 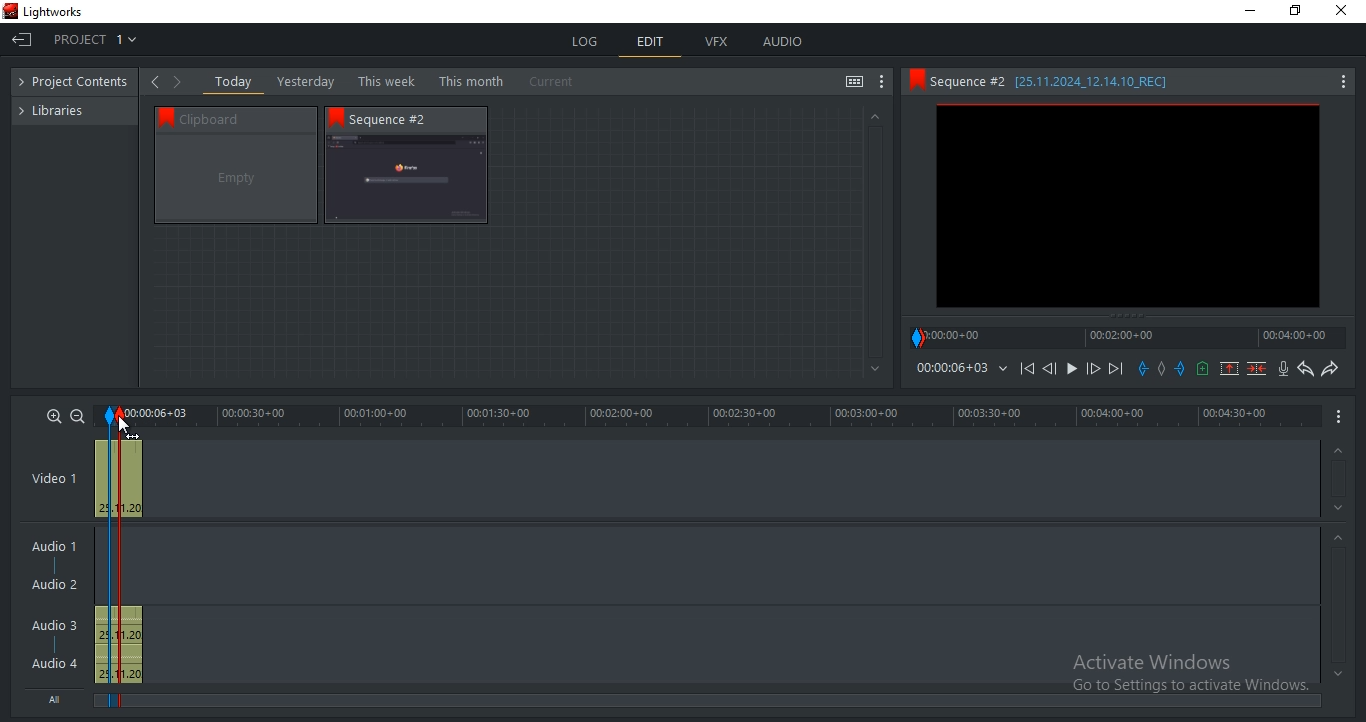 What do you see at coordinates (1336, 452) in the screenshot?
I see `Greyed out up arrow` at bounding box center [1336, 452].